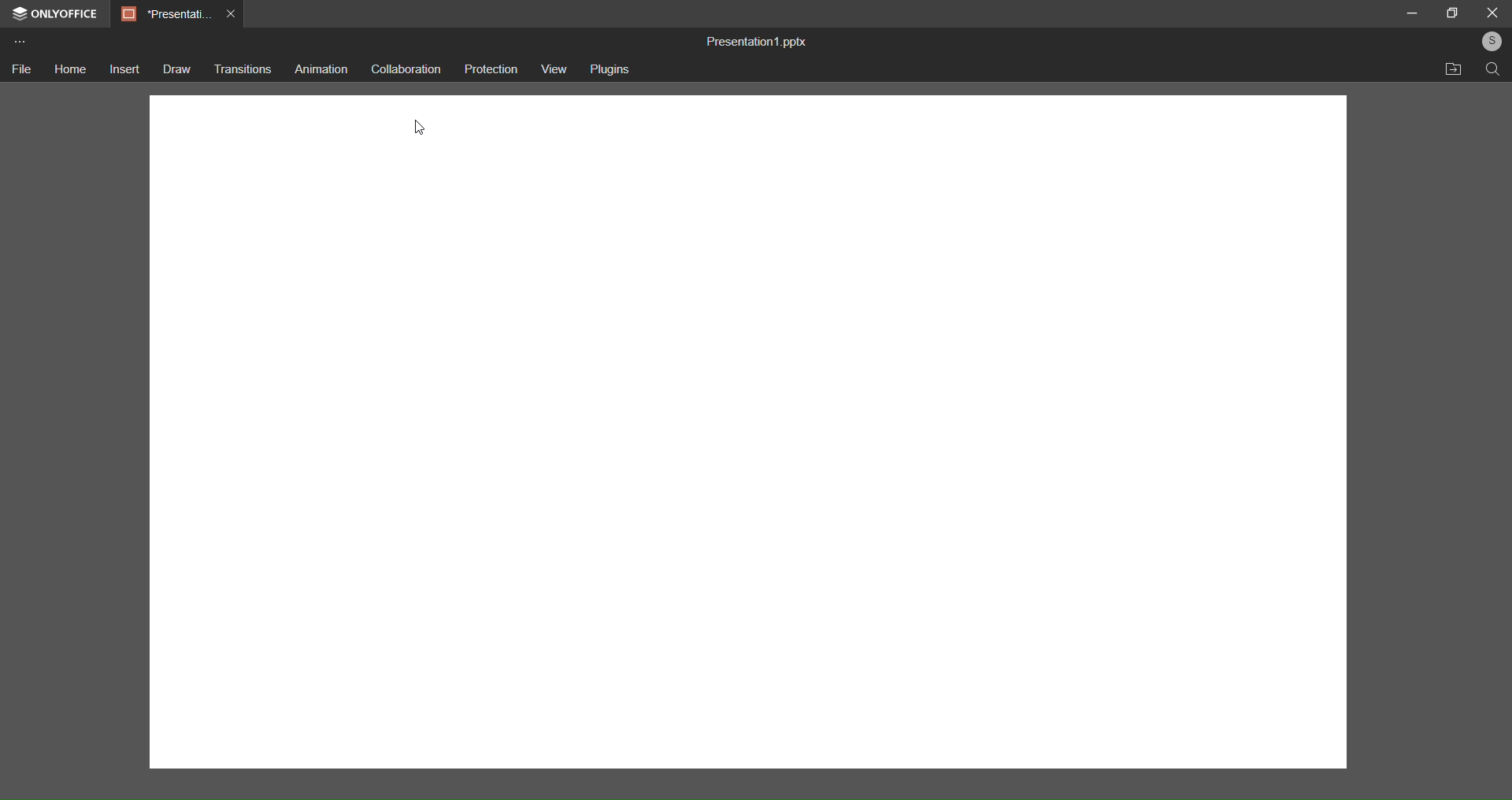  I want to click on transition, so click(241, 68).